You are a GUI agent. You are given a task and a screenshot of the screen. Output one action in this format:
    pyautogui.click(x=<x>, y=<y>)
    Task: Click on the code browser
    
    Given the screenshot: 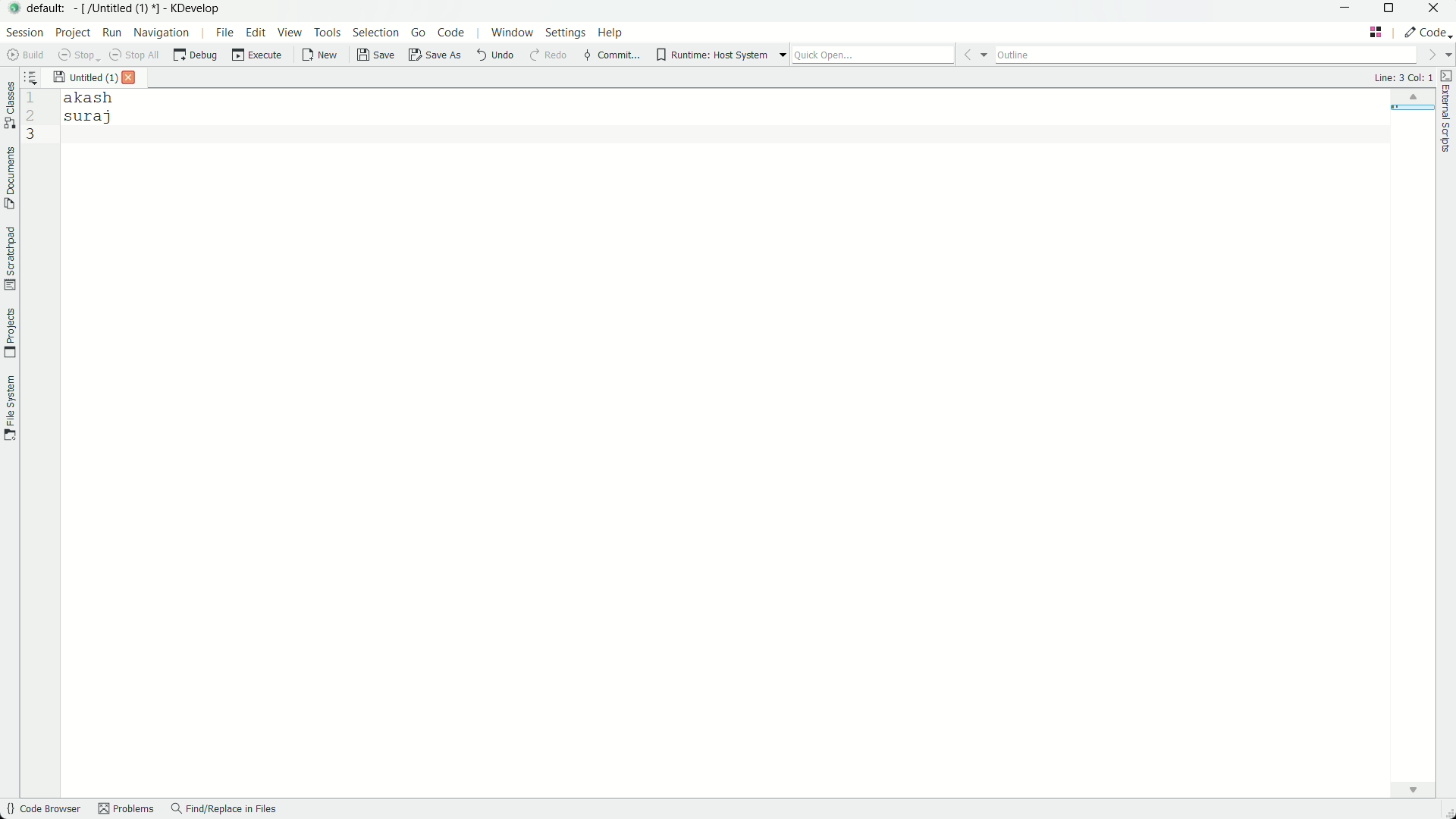 What is the action you would take?
    pyautogui.click(x=42, y=810)
    